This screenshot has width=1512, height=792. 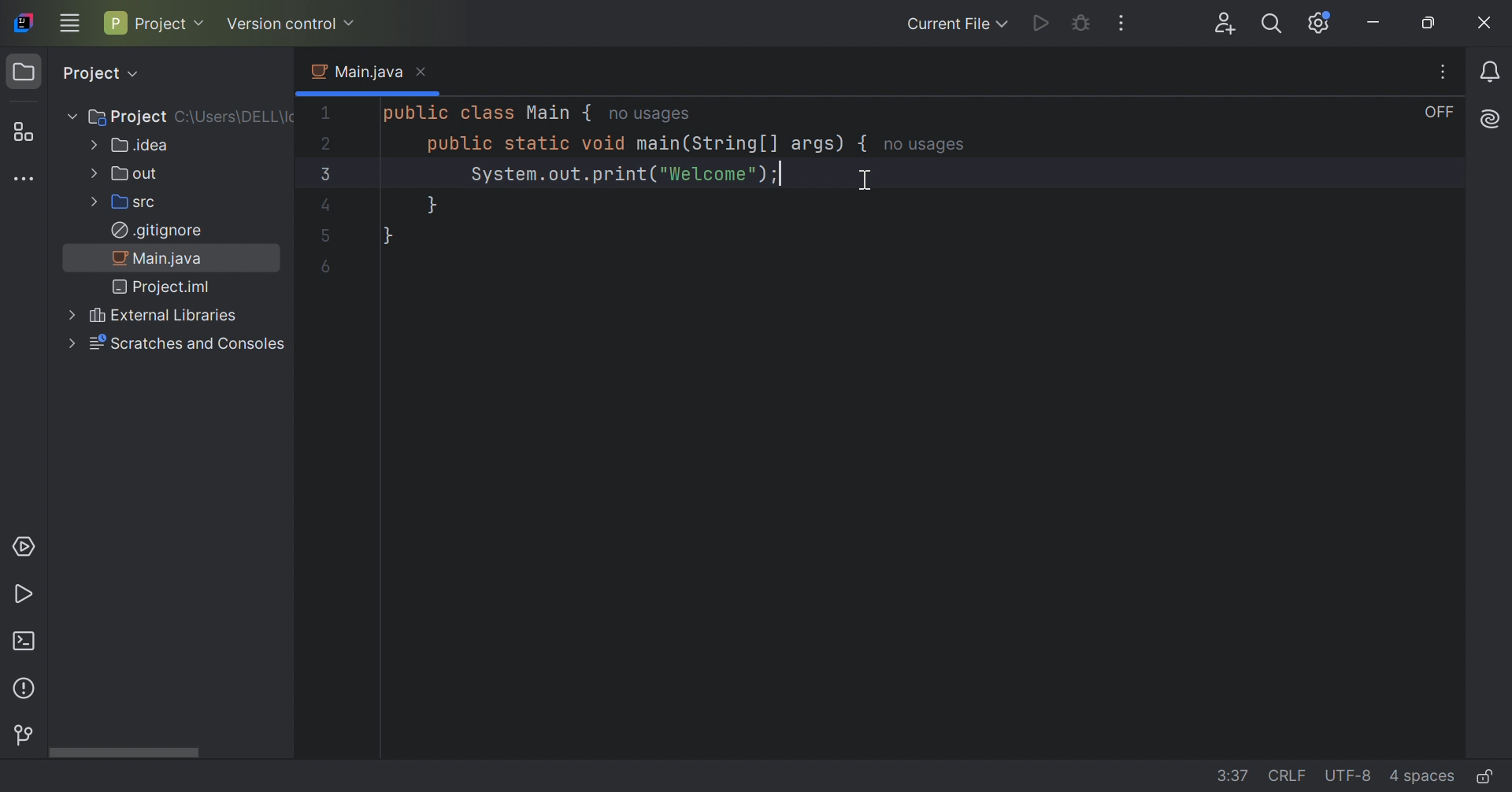 I want to click on Version control, so click(x=291, y=24).